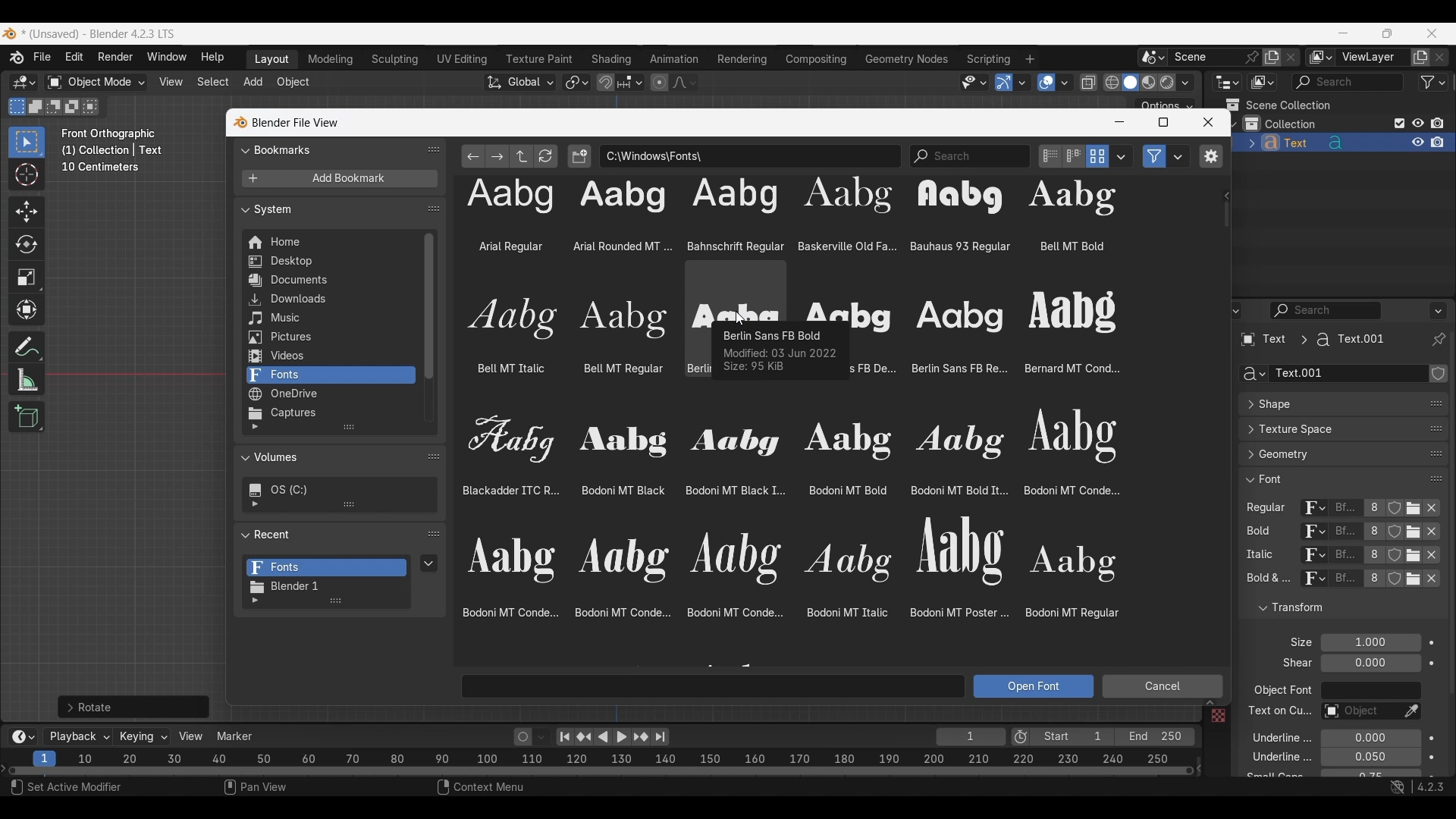  I want to click on Name view layer, so click(1373, 58).